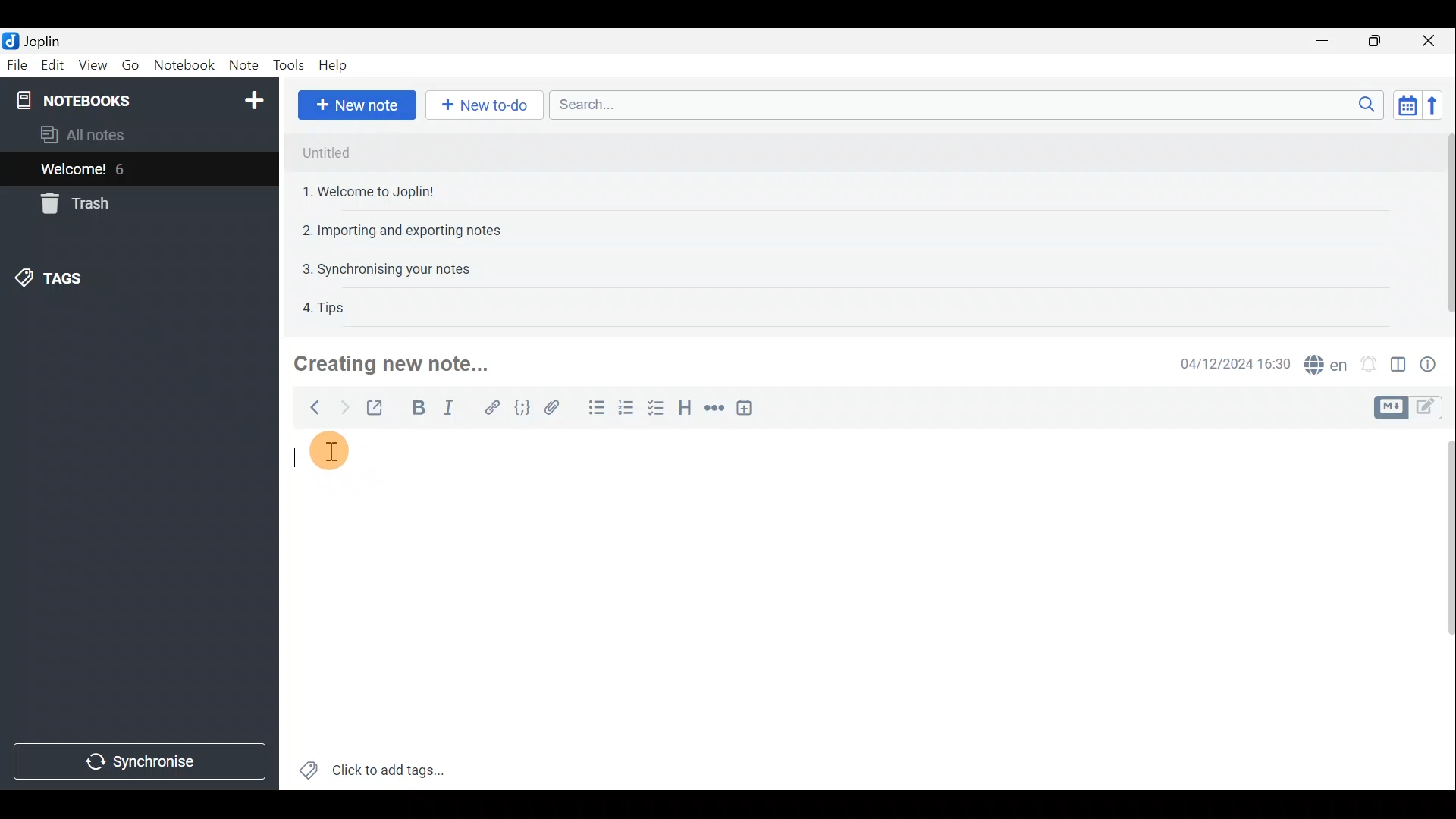 This screenshot has width=1456, height=819. I want to click on Insert time, so click(748, 410).